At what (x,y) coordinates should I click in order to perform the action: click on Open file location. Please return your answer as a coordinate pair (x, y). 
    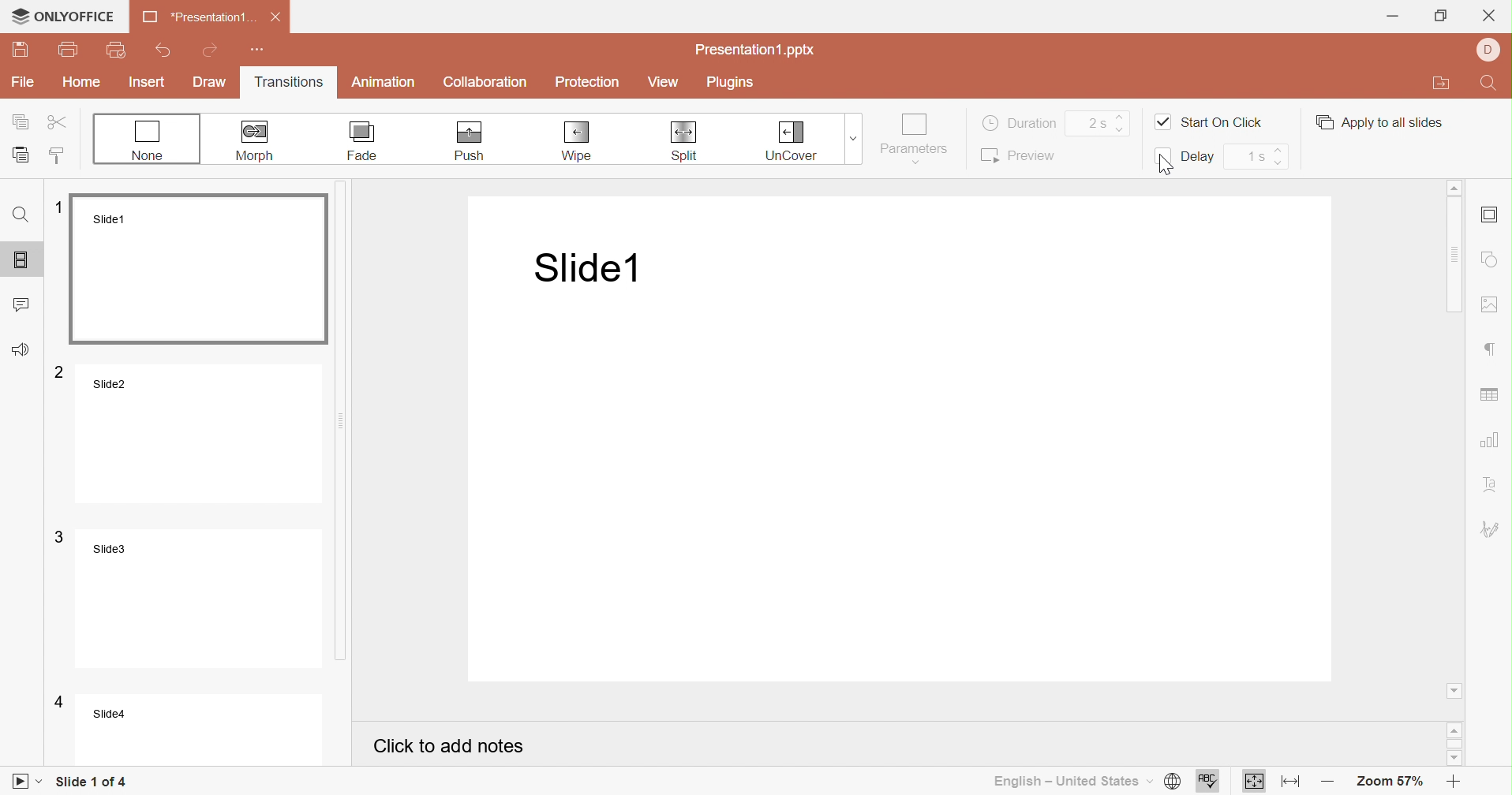
    Looking at the image, I should click on (1443, 84).